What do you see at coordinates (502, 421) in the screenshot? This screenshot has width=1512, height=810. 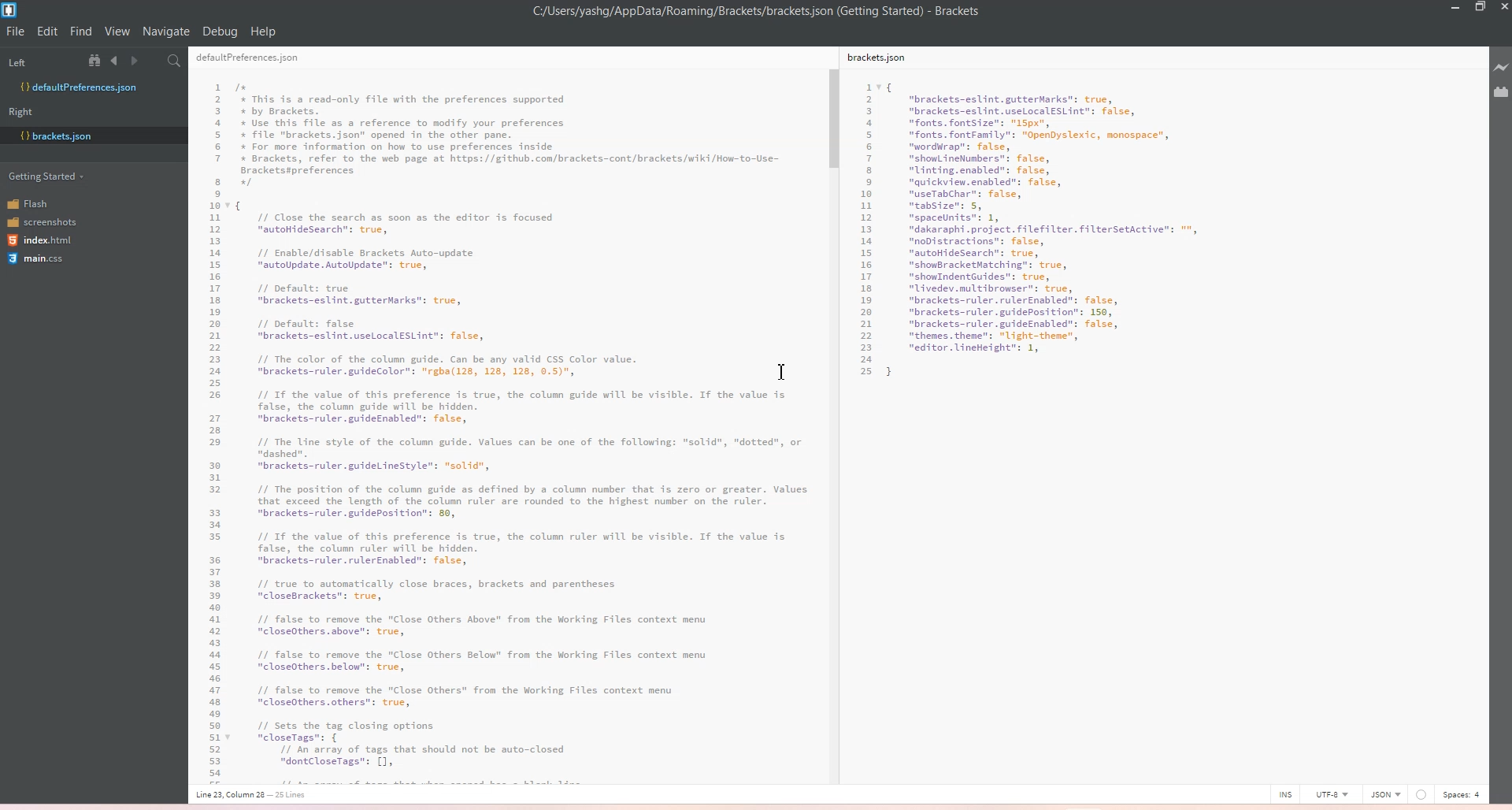 I see `defaultPreferences.json

I”

* This is a read-only file with the preferences supported

* by Brackets.

* Use this file as a reference to modify your preferences

* file "brackets.json" opened in the other pane.

* For more information on how to use preferences inside

* Brackets, refer to the web page at https://github.com/brackets-cont/brackets/wiki/How-to-Us

*

vi

// Close the search as soon as the editor is focused
“autoHideSearch”: true,
// Enable/disable Brackets Auto-update
“autoUpdate. AutoUpdate”: true,
// Default: true
“brackets-eslint.gutterMarks”: true,
// Default: false
“brackets-eslint.uselocalESLint": false,
// The color of the column guide. Can be any valid CSS Color value.
“brackets-ruler.guideColor”: "rgba(128, 128, 128, 0.5)",
// Tf the value of this preference is true, the column guide will be visible. Tf the val.
“brackets-ruler.guideEnabled”: false,
// The line style of the column guide. Values can be one of the following: "solid", "dott
“brackets-ruler.guidelineStyle": "solid",
// The position of the column guide as defined by a column number that is zero or greater
“brackets-ruler.guidePosition”: 80,
// Tf the value of this preference is true, the column ruler will be visible. Tf the val.
“brackets-ruler.rulerEnabled”: false,
// true to automatically close braces, brackets and parentheses
“closeBrackets”: true,
// false to remove the "Close Others Above” from the Working Files context menu
“closeOthers.above”: true,
// false to remove the "Close Others Below” from the Working Files context menu
“closeOthers.below": true,
// false to remove the "Close Others” from the Working Files context menu
“closeOthers.others”: true,` at bounding box center [502, 421].